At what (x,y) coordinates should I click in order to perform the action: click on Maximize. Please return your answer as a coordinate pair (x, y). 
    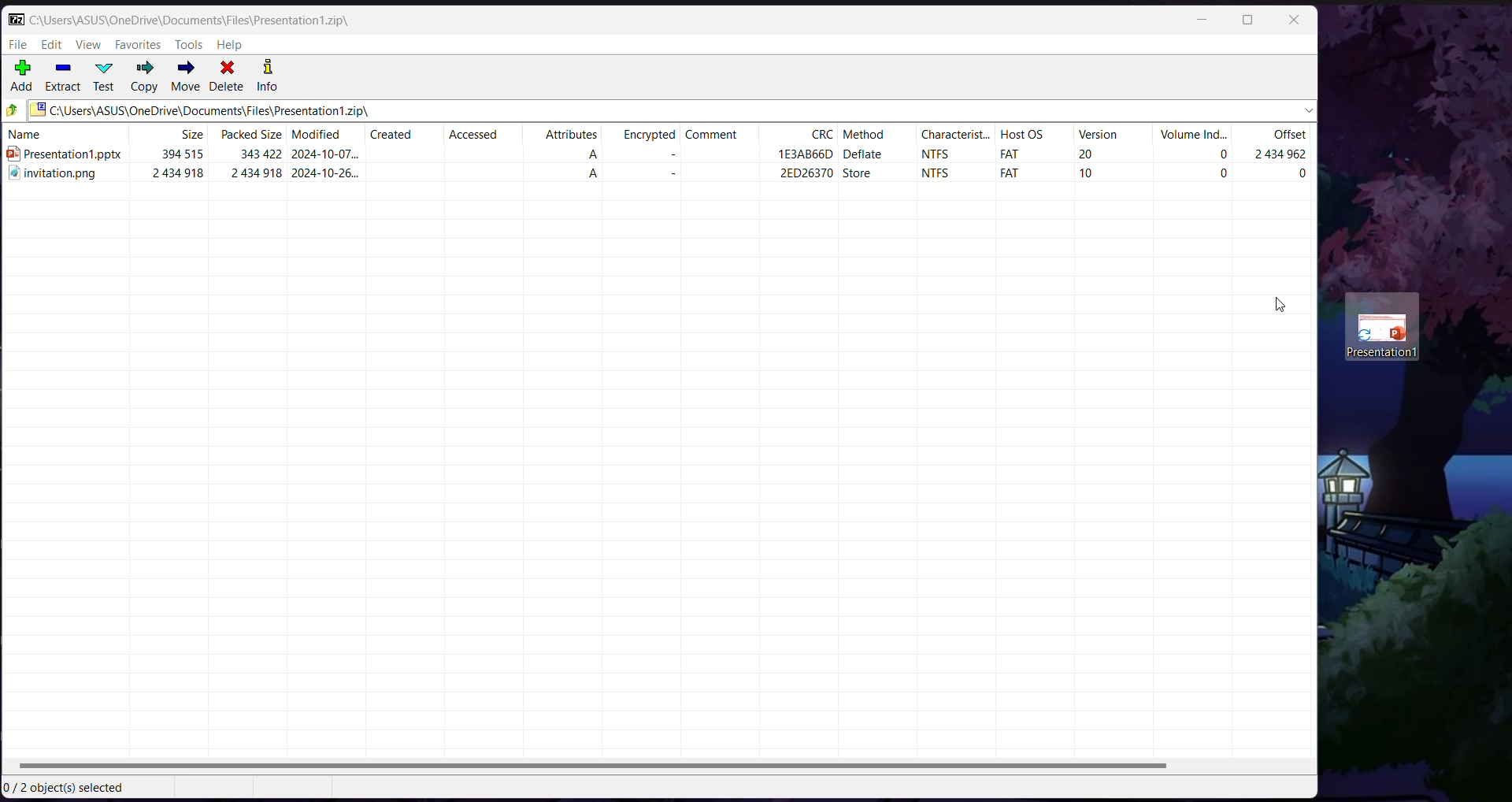
    Looking at the image, I should click on (1248, 20).